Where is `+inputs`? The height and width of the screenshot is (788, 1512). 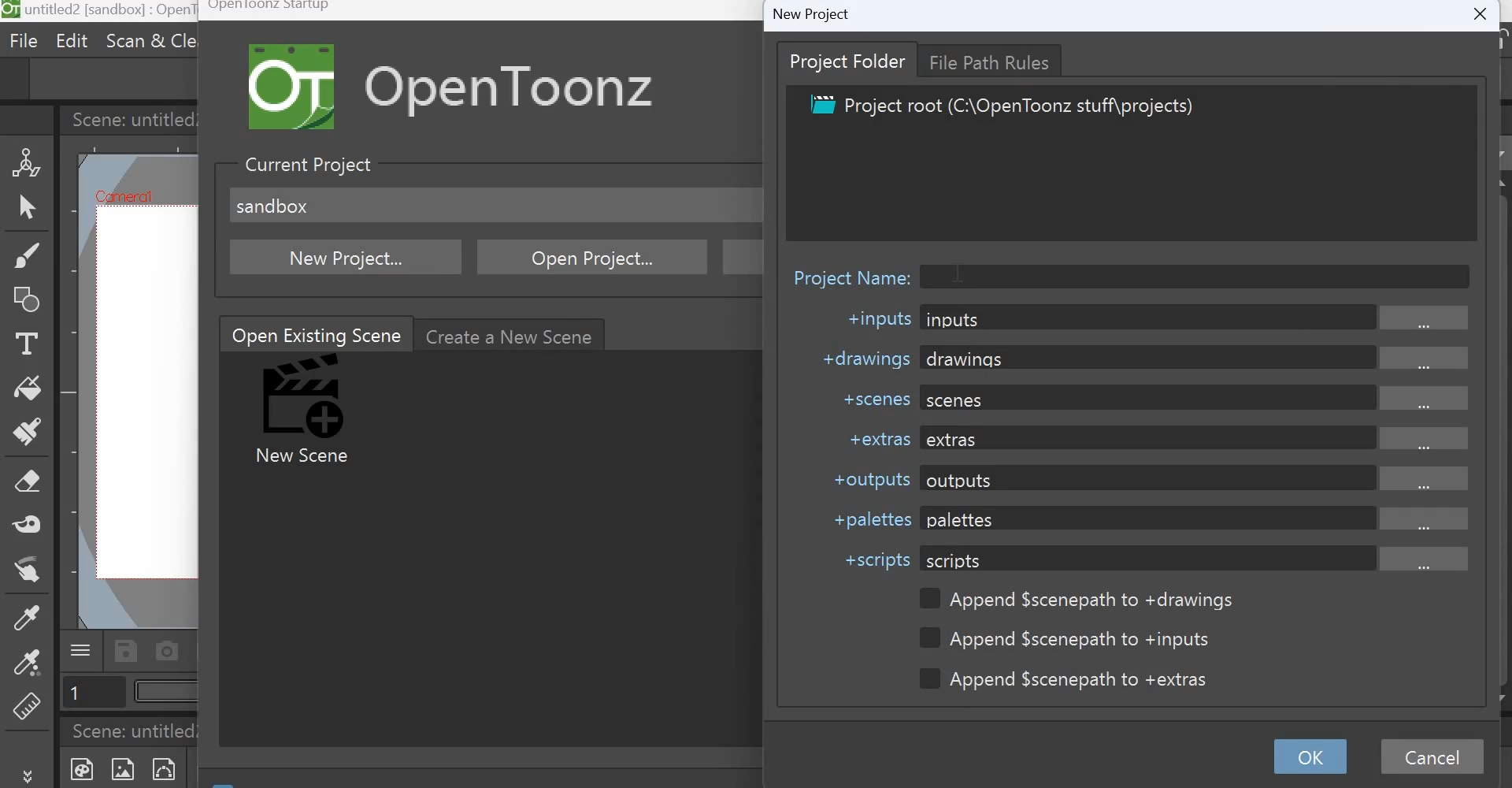 +inputs is located at coordinates (876, 321).